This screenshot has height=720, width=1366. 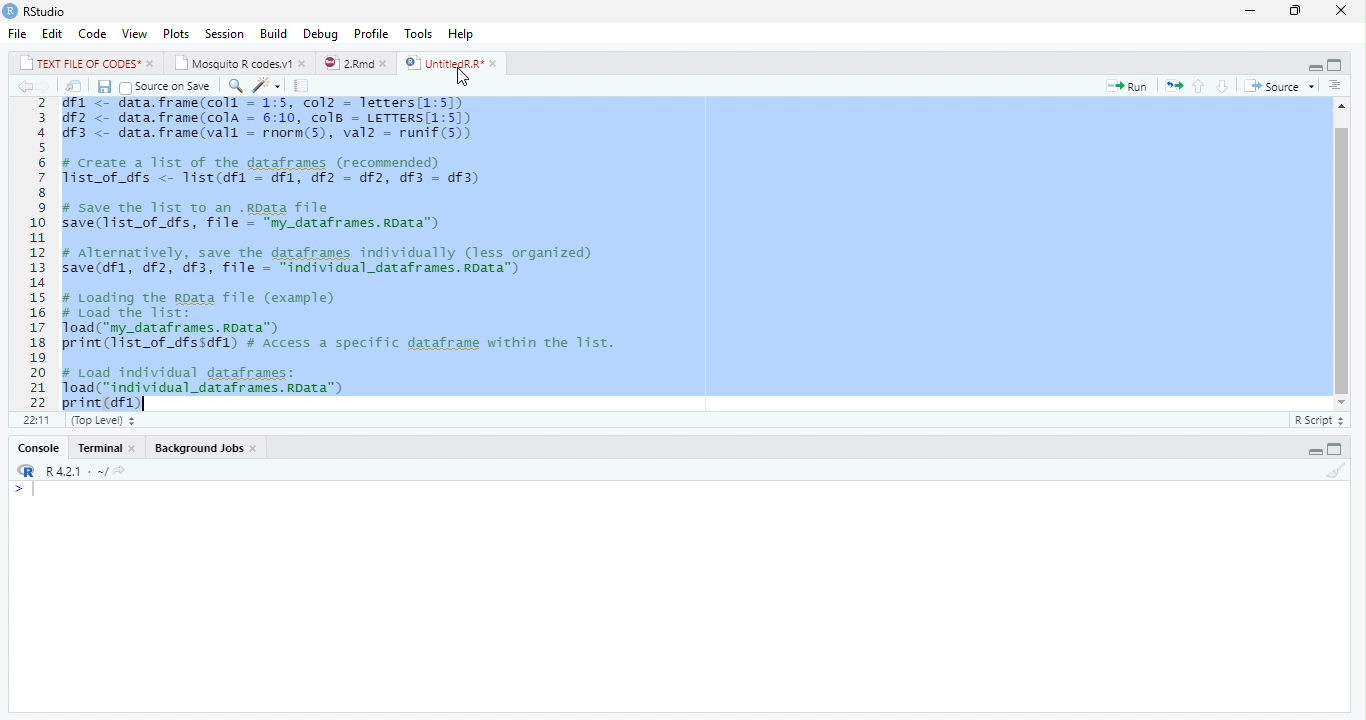 I want to click on Help, so click(x=462, y=34).